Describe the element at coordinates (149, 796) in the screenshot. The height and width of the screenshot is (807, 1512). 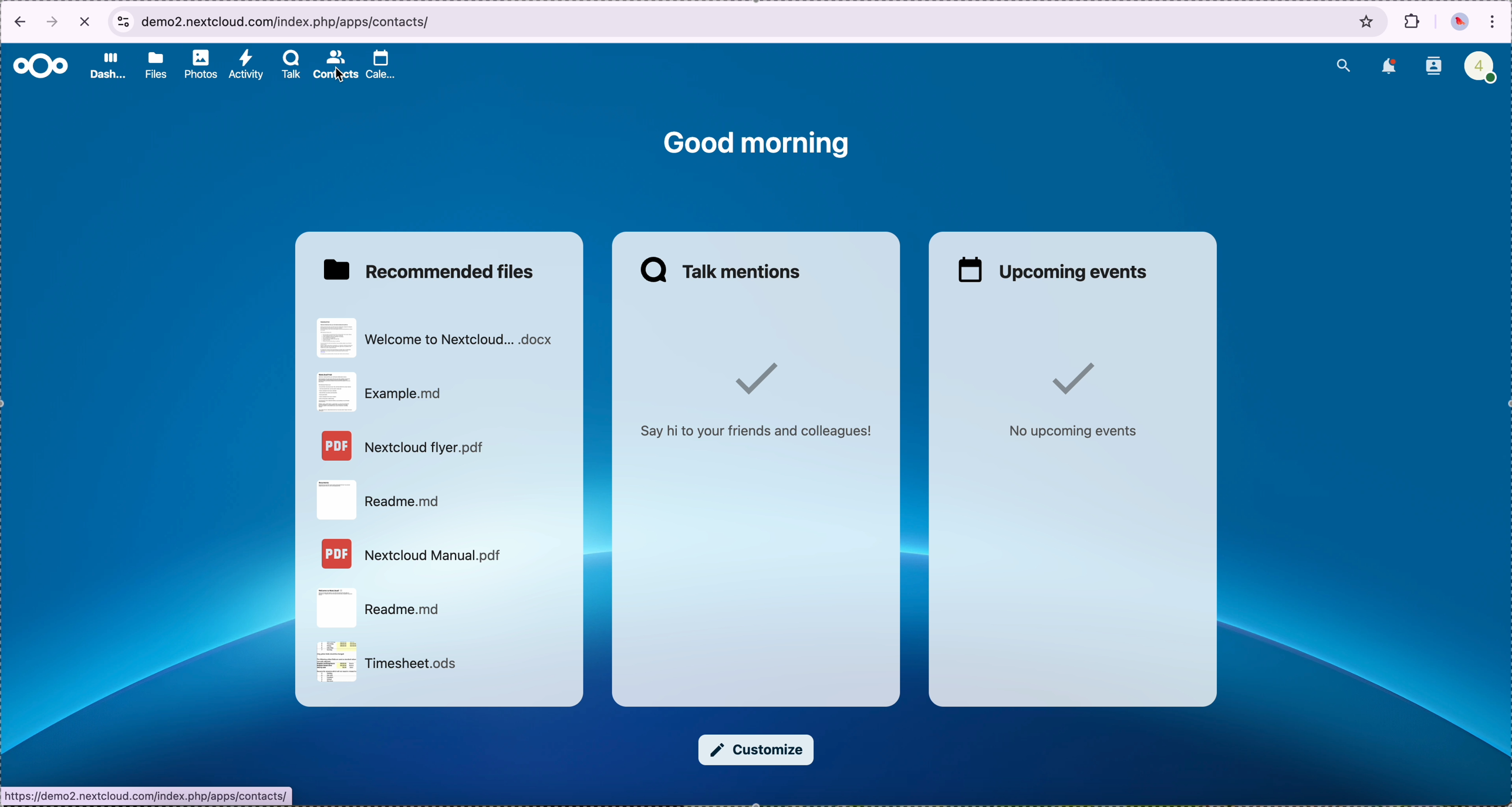
I see `URL` at that location.